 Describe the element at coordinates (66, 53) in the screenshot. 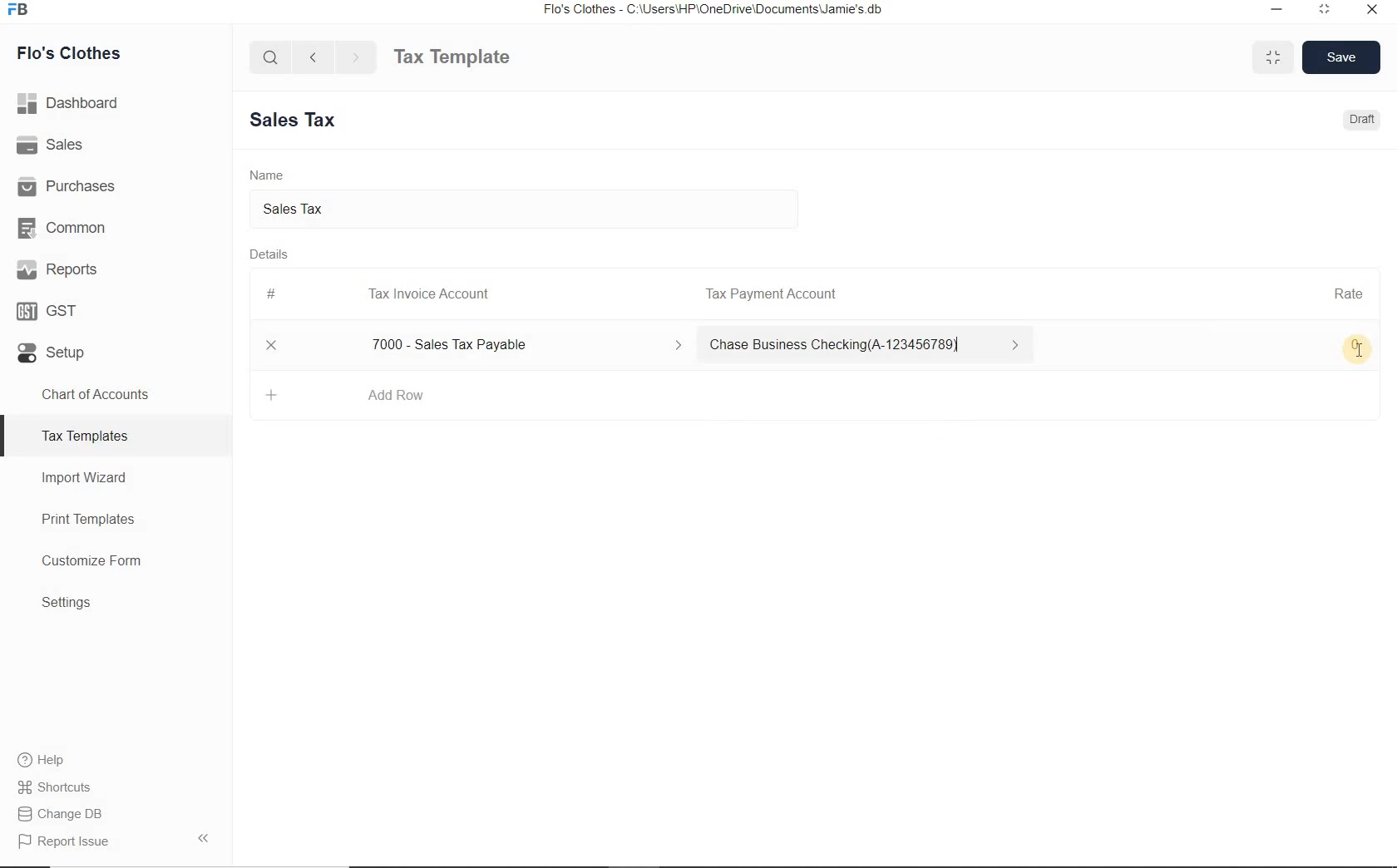

I see `Flo's Clothes` at that location.